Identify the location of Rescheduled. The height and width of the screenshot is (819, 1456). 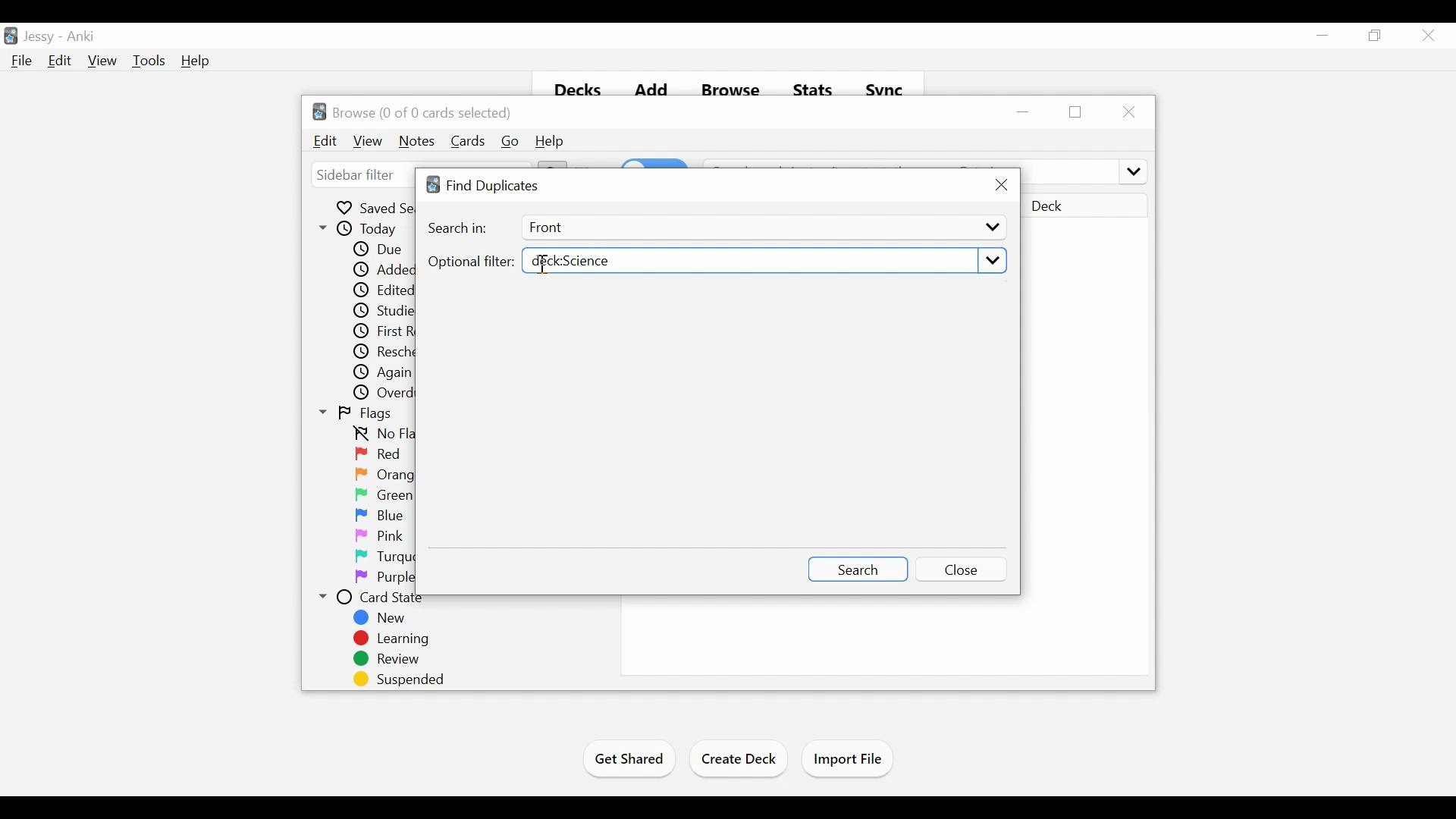
(384, 352).